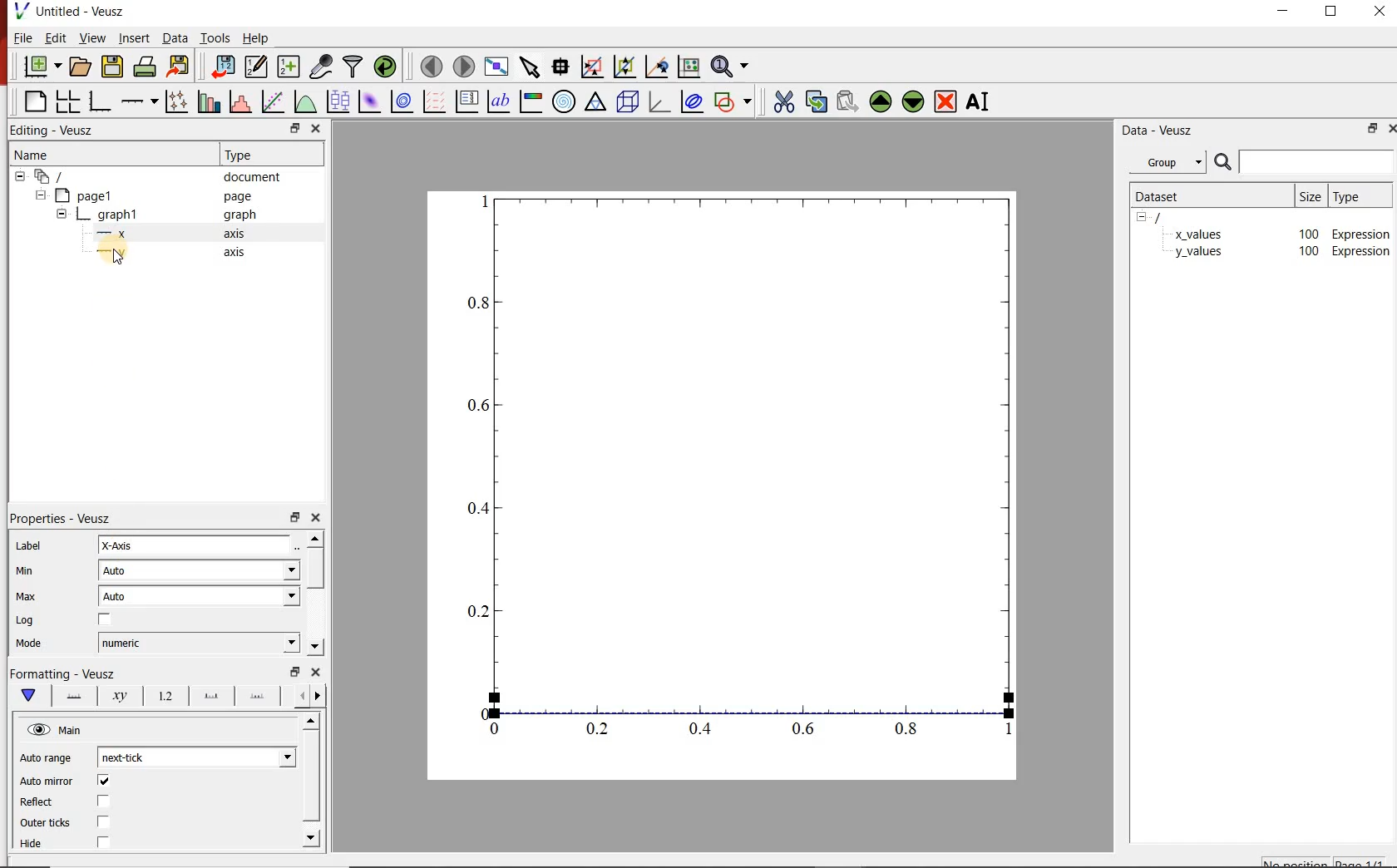 The height and width of the screenshot is (868, 1397). I want to click on graph, so click(719, 482).